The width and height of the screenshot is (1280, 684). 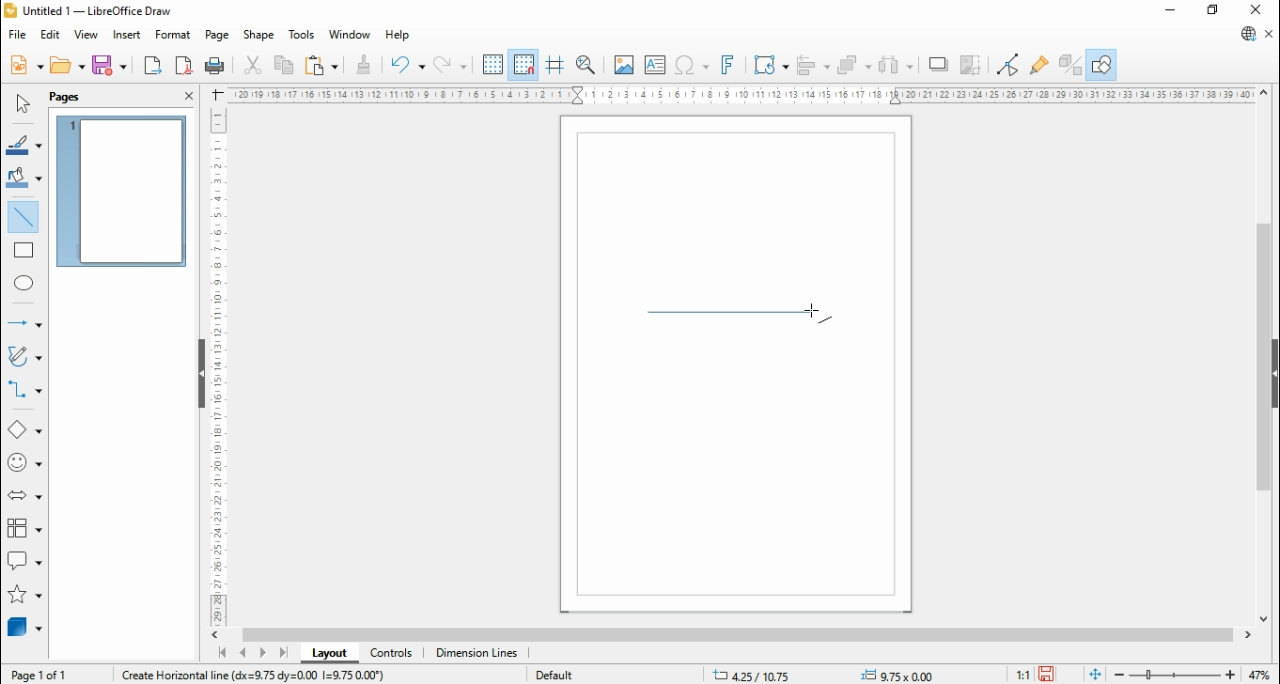 What do you see at coordinates (111, 65) in the screenshot?
I see `save` at bounding box center [111, 65].